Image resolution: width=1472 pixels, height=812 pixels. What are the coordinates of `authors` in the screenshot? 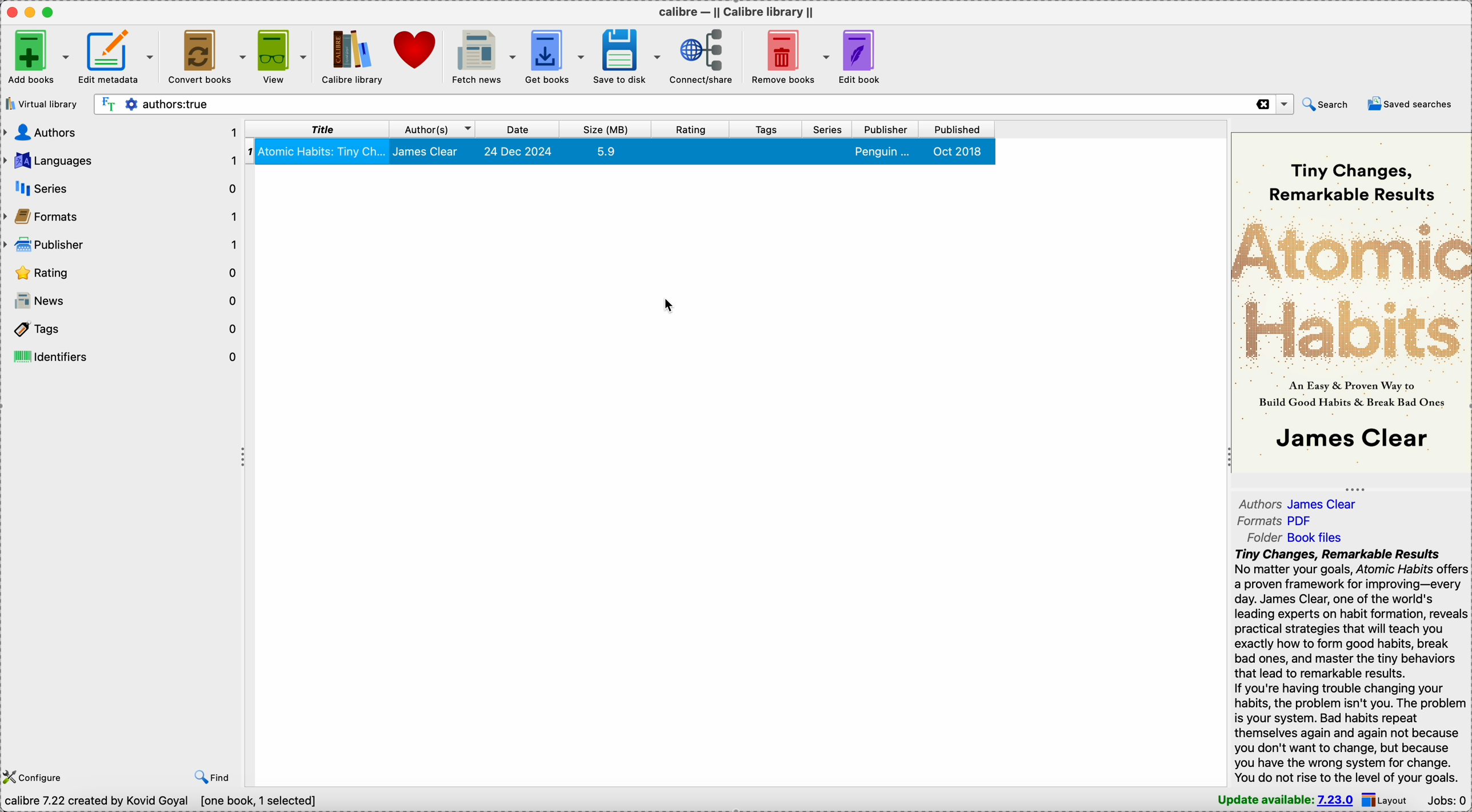 It's located at (122, 133).